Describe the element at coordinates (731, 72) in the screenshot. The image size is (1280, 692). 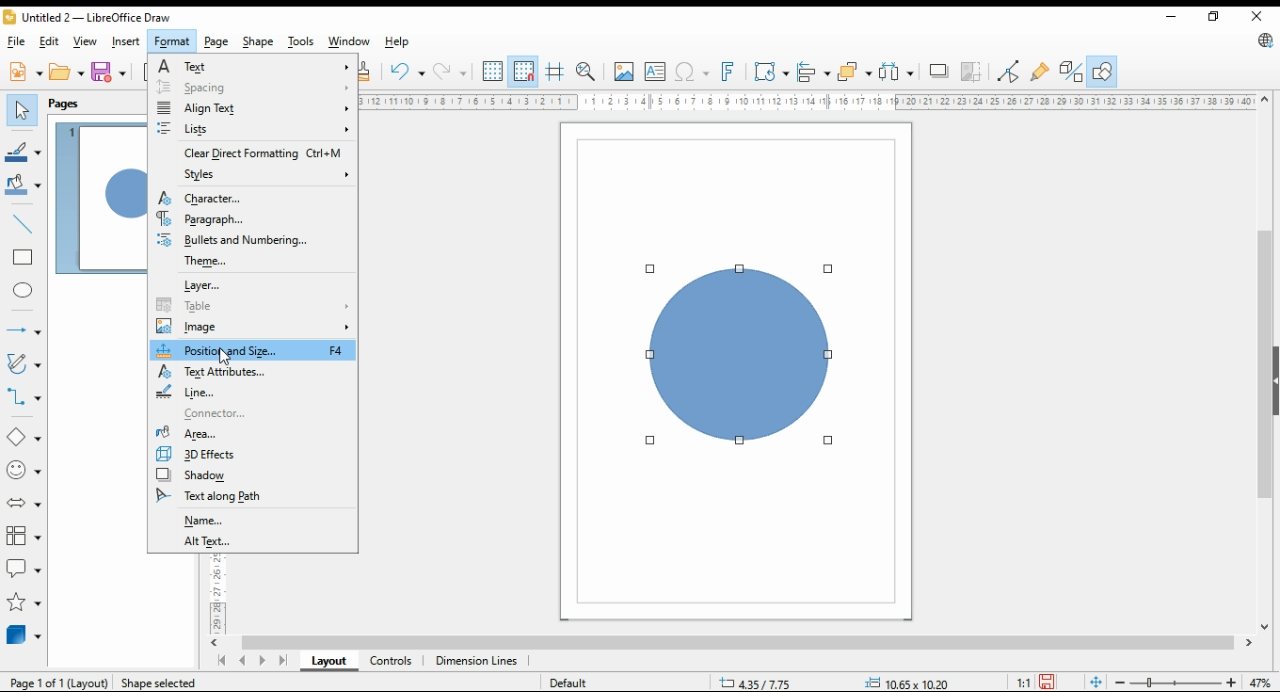
I see `insert fontwork text` at that location.